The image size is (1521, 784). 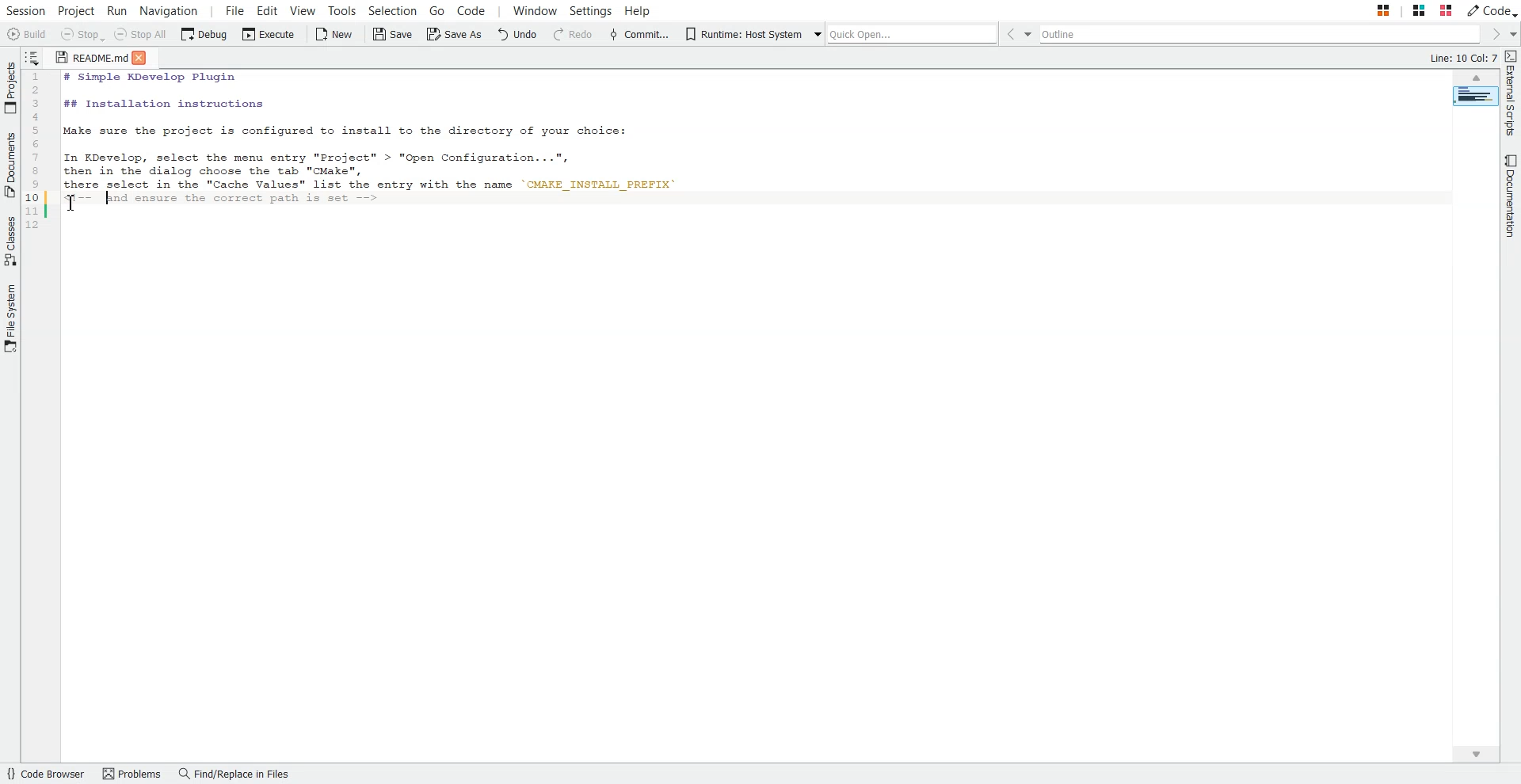 I want to click on Debug, so click(x=203, y=35).